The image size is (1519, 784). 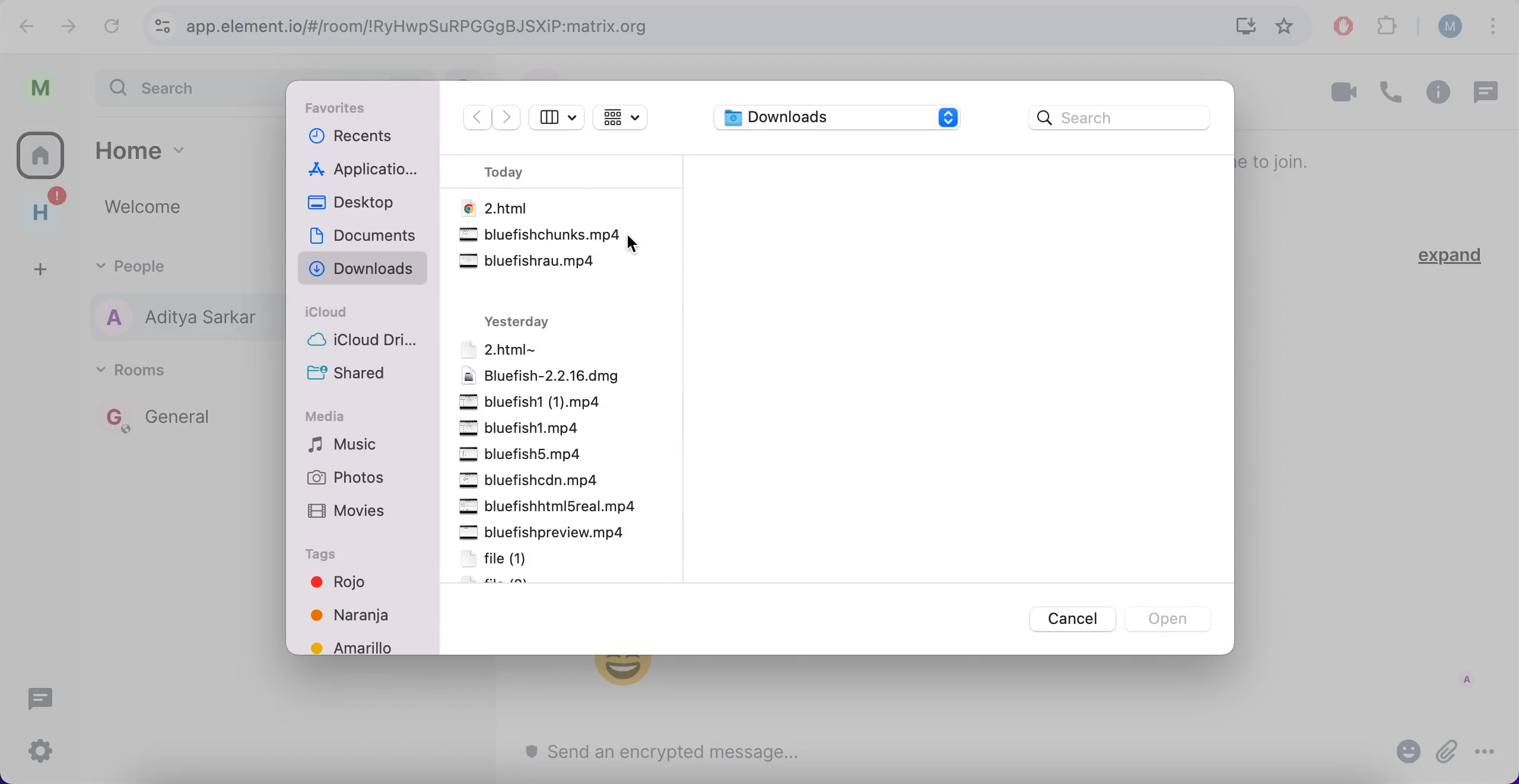 What do you see at coordinates (186, 435) in the screenshot?
I see `rooms` at bounding box center [186, 435].